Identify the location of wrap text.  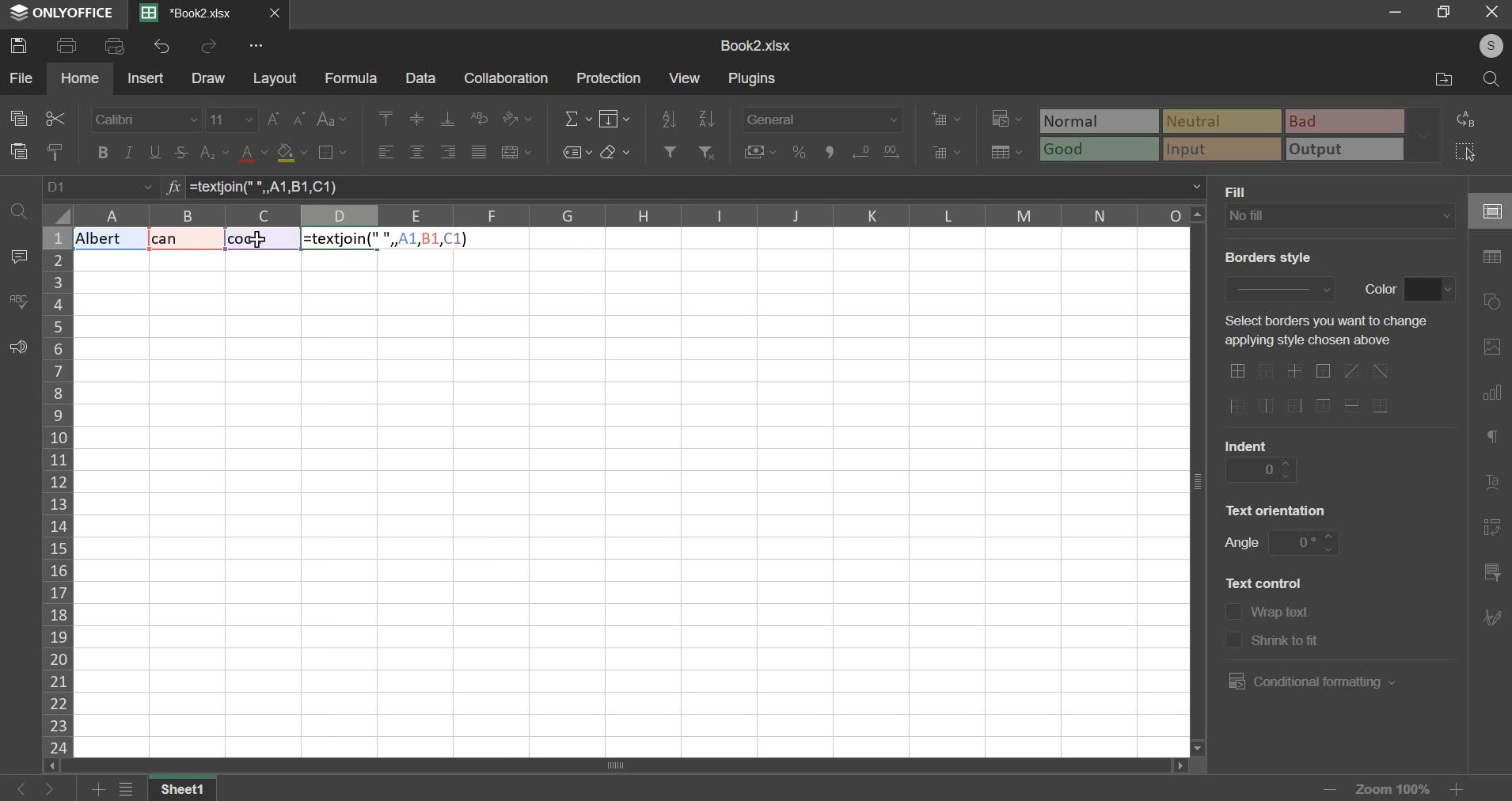
(481, 116).